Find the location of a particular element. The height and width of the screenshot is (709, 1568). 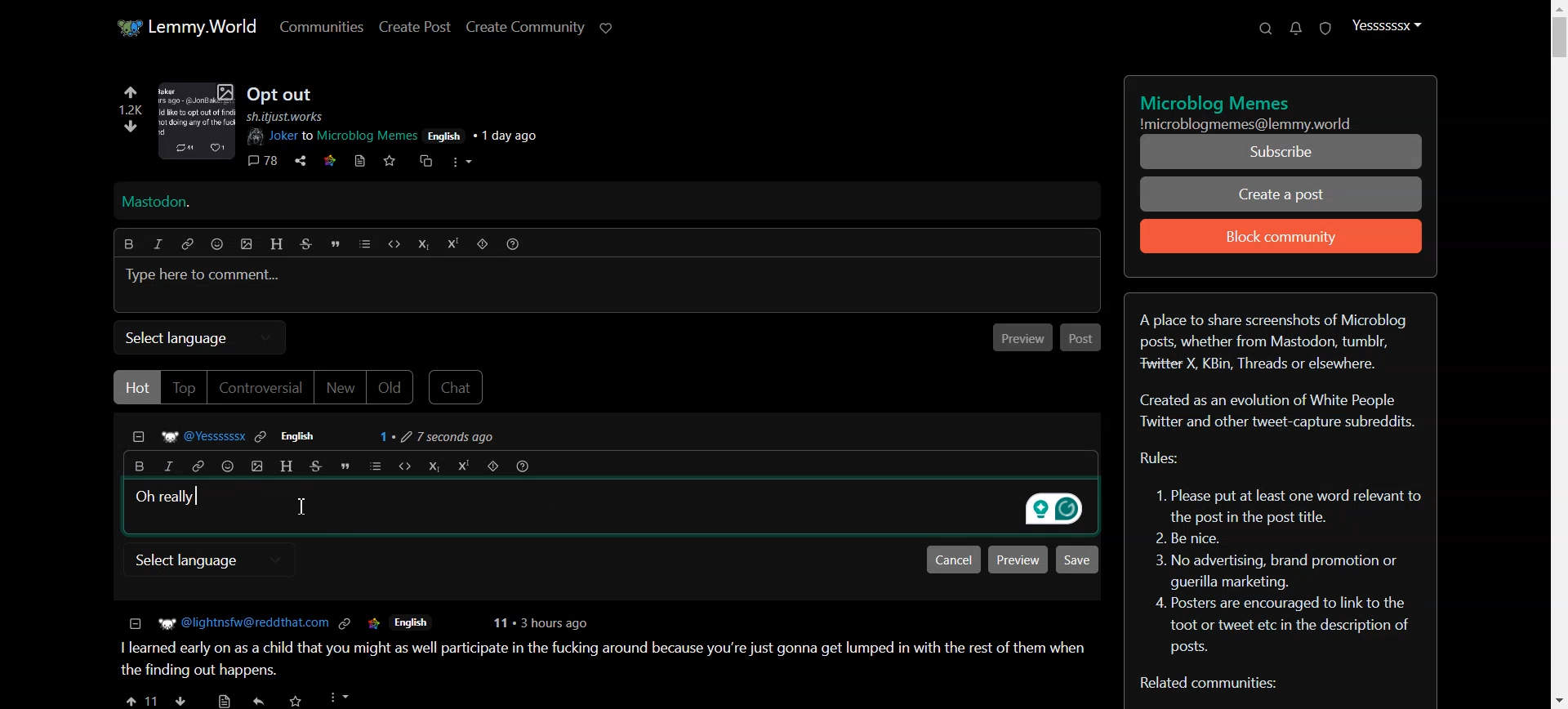

Italic is located at coordinates (157, 243).